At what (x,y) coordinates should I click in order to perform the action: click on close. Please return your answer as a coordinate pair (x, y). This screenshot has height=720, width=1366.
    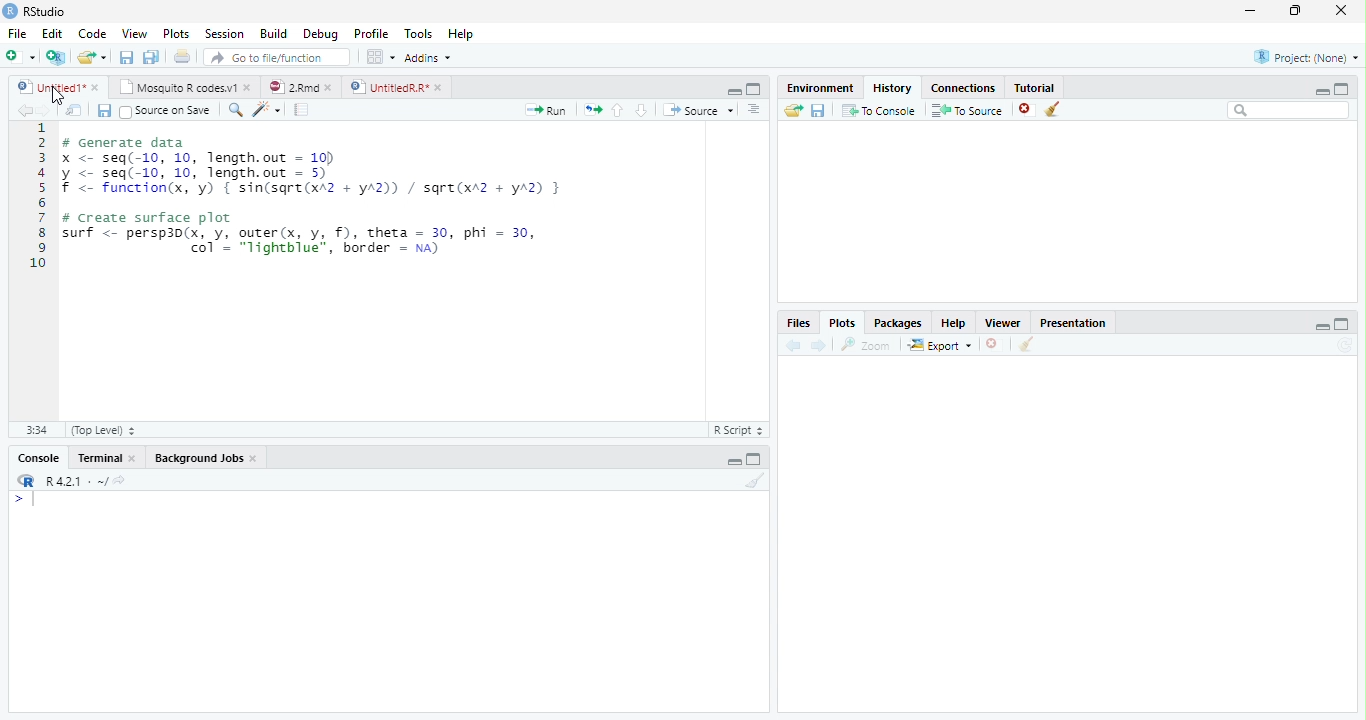
    Looking at the image, I should click on (96, 87).